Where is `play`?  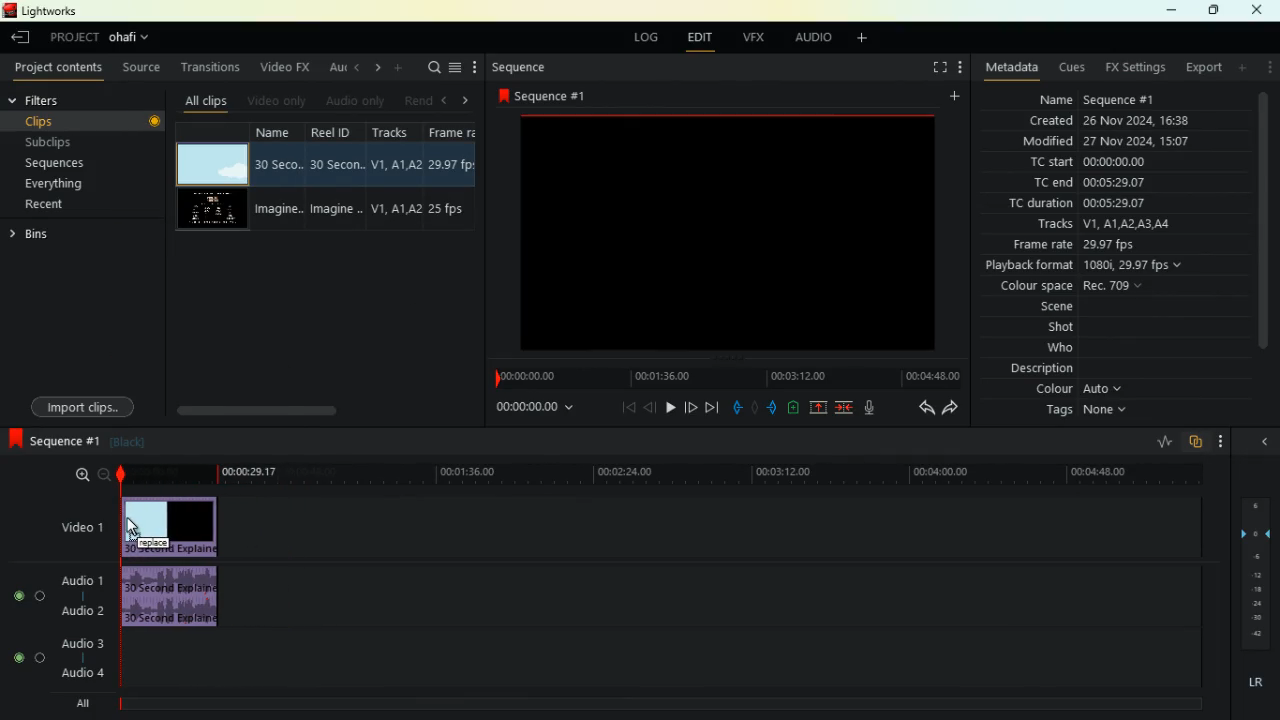 play is located at coordinates (669, 410).